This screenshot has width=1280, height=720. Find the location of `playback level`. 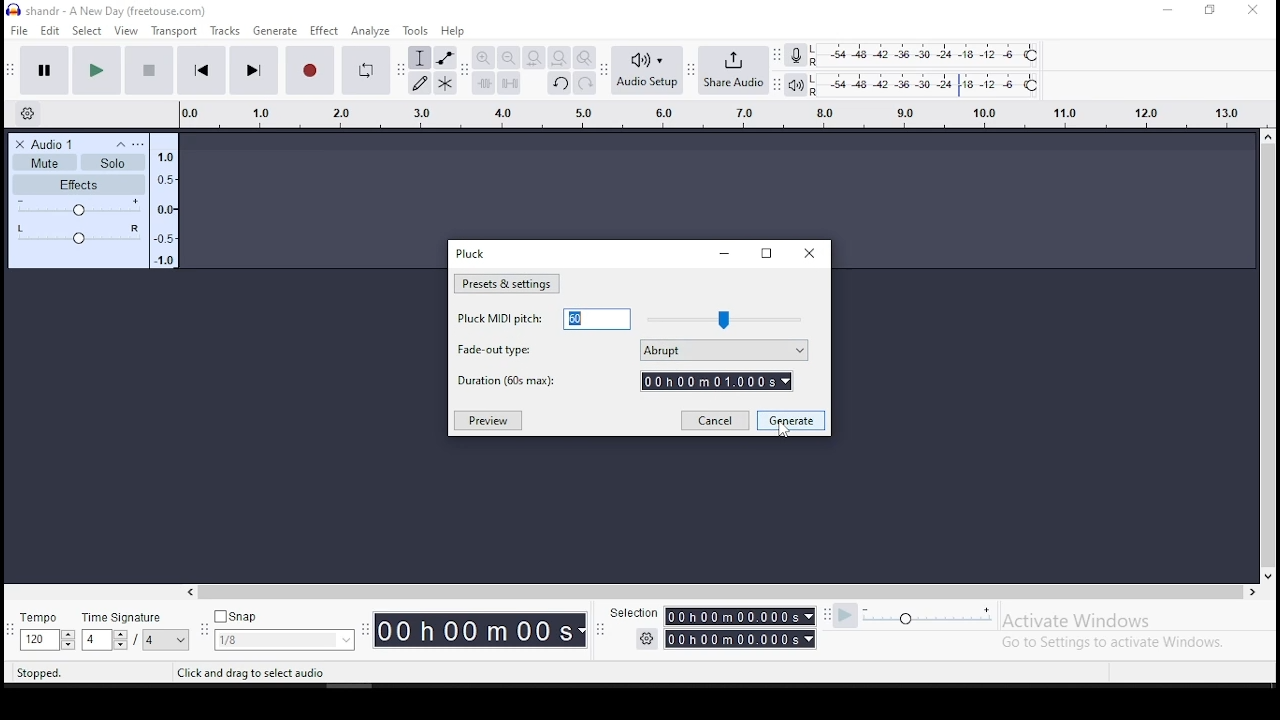

playback level is located at coordinates (928, 83).